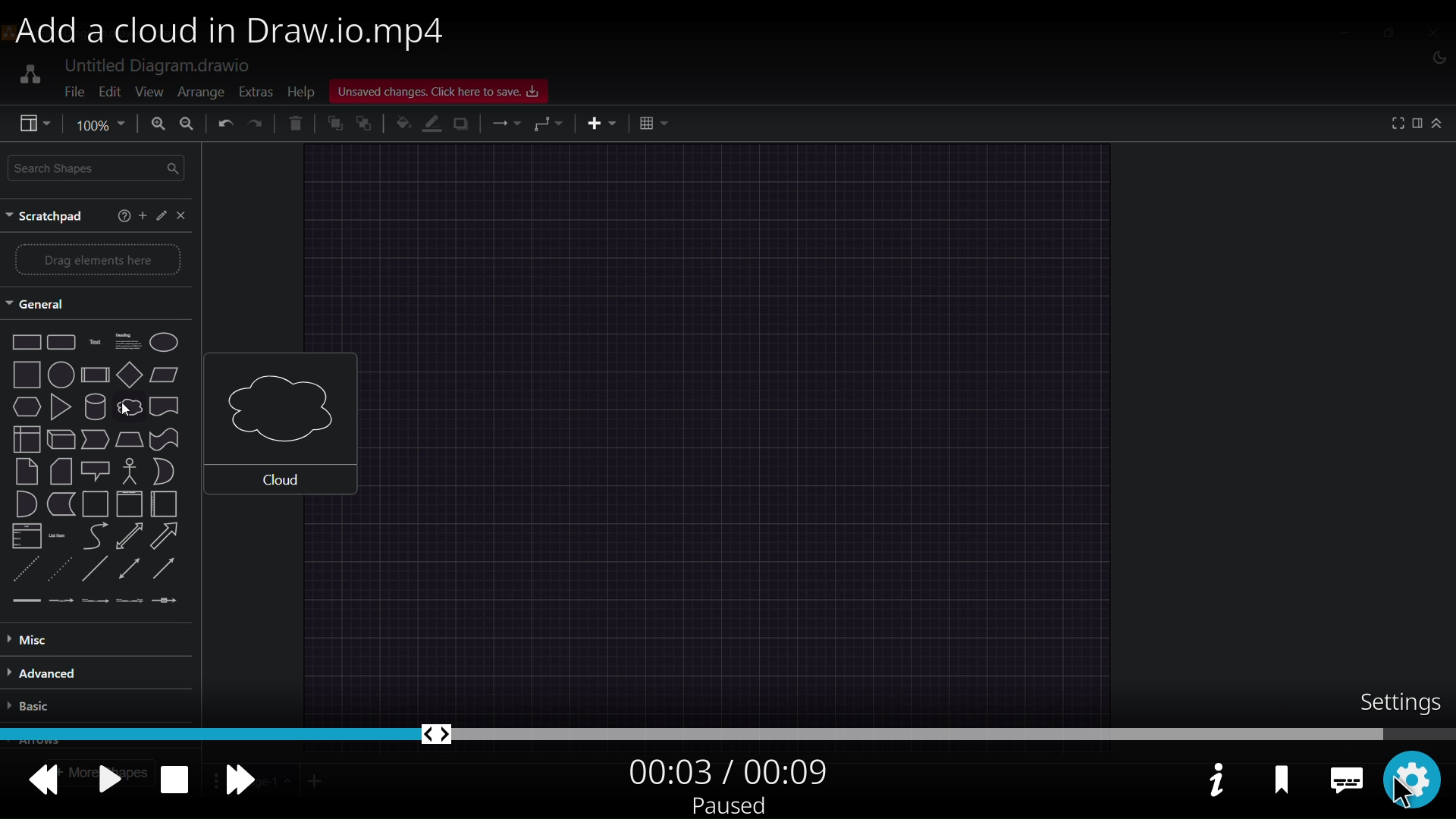  Describe the element at coordinates (1213, 780) in the screenshot. I see `video info` at that location.